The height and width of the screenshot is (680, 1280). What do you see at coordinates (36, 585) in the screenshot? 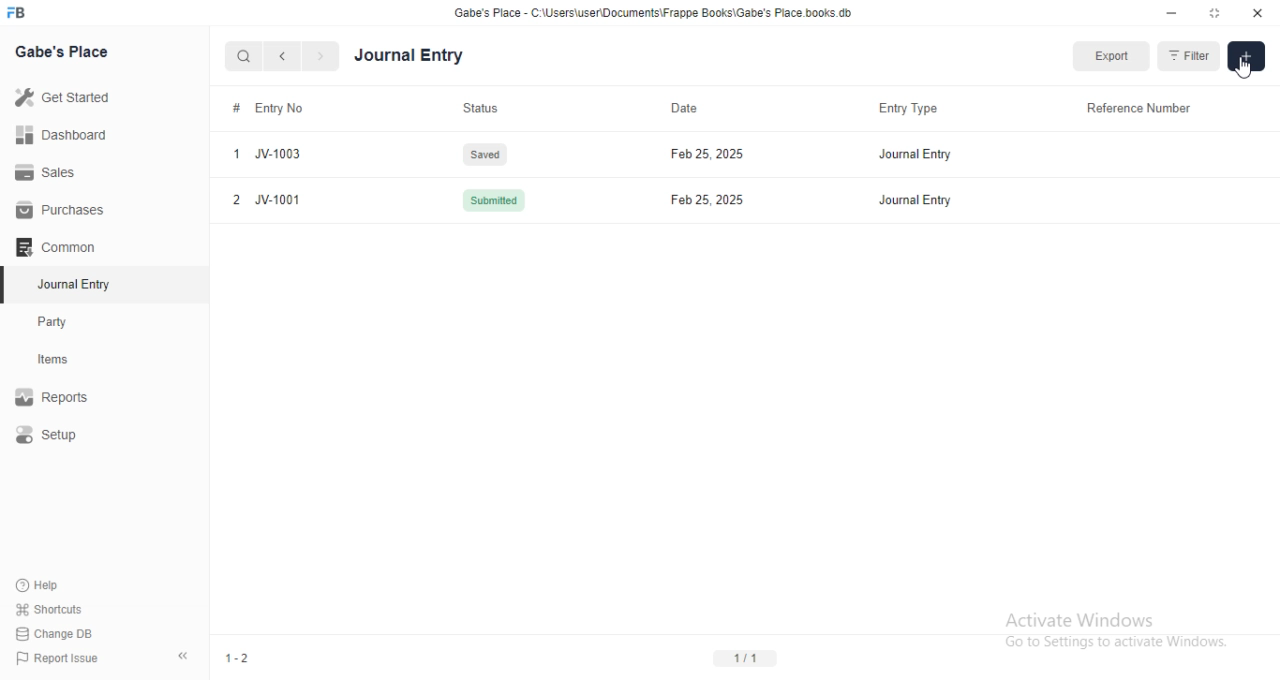
I see `Help` at bounding box center [36, 585].